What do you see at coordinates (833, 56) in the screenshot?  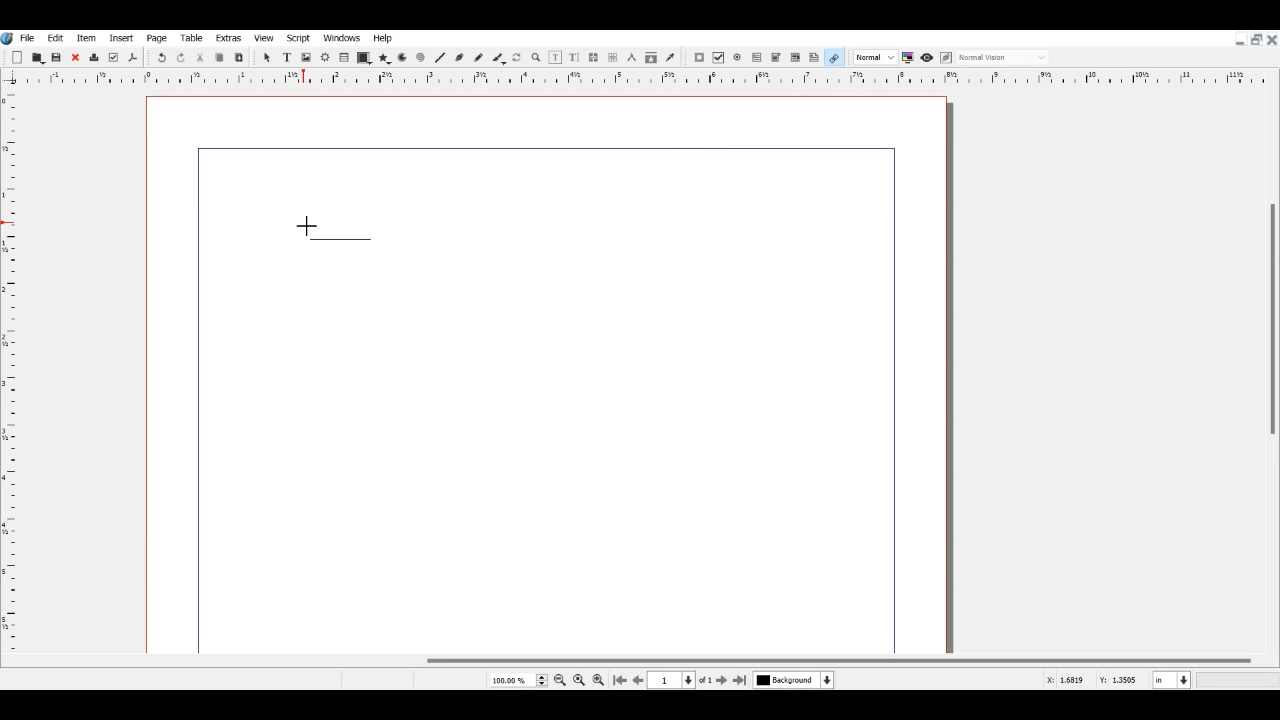 I see `Link Annotation` at bounding box center [833, 56].